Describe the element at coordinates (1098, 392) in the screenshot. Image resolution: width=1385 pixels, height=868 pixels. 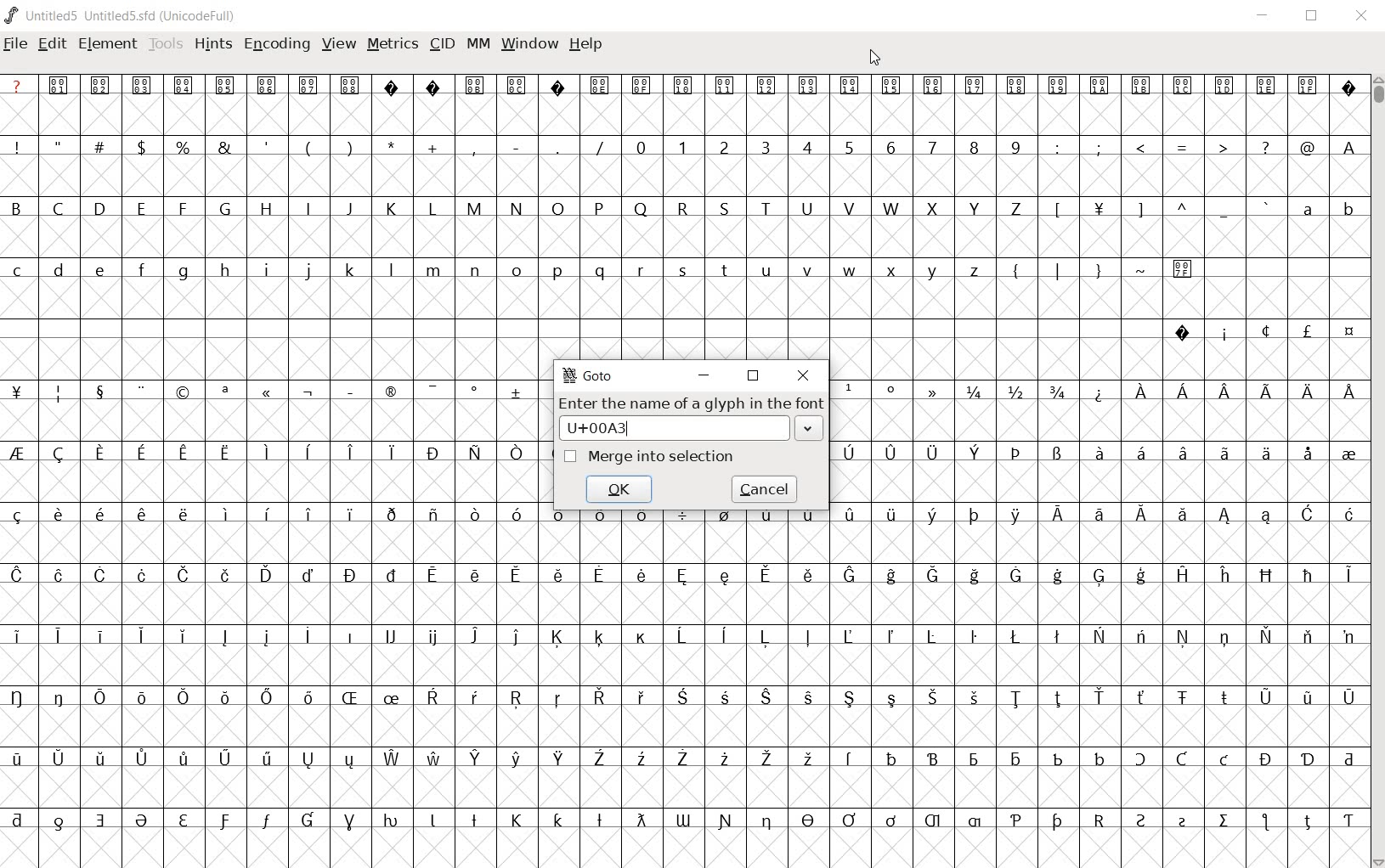
I see `Symbol` at that location.